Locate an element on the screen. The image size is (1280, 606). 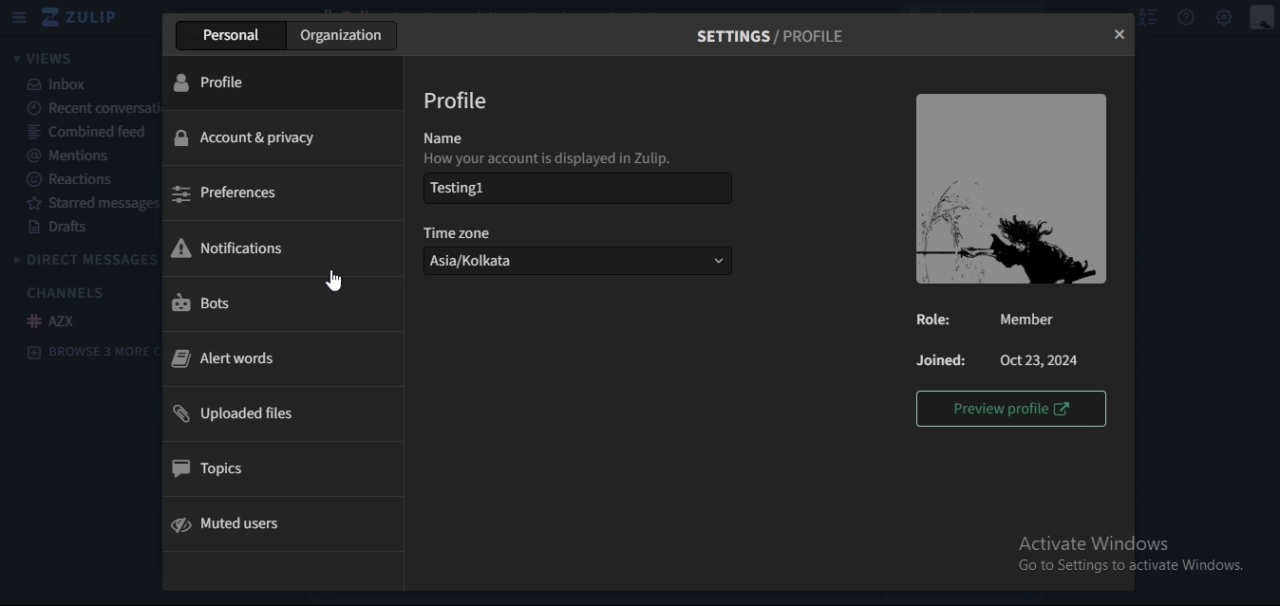
settings is located at coordinates (770, 36).